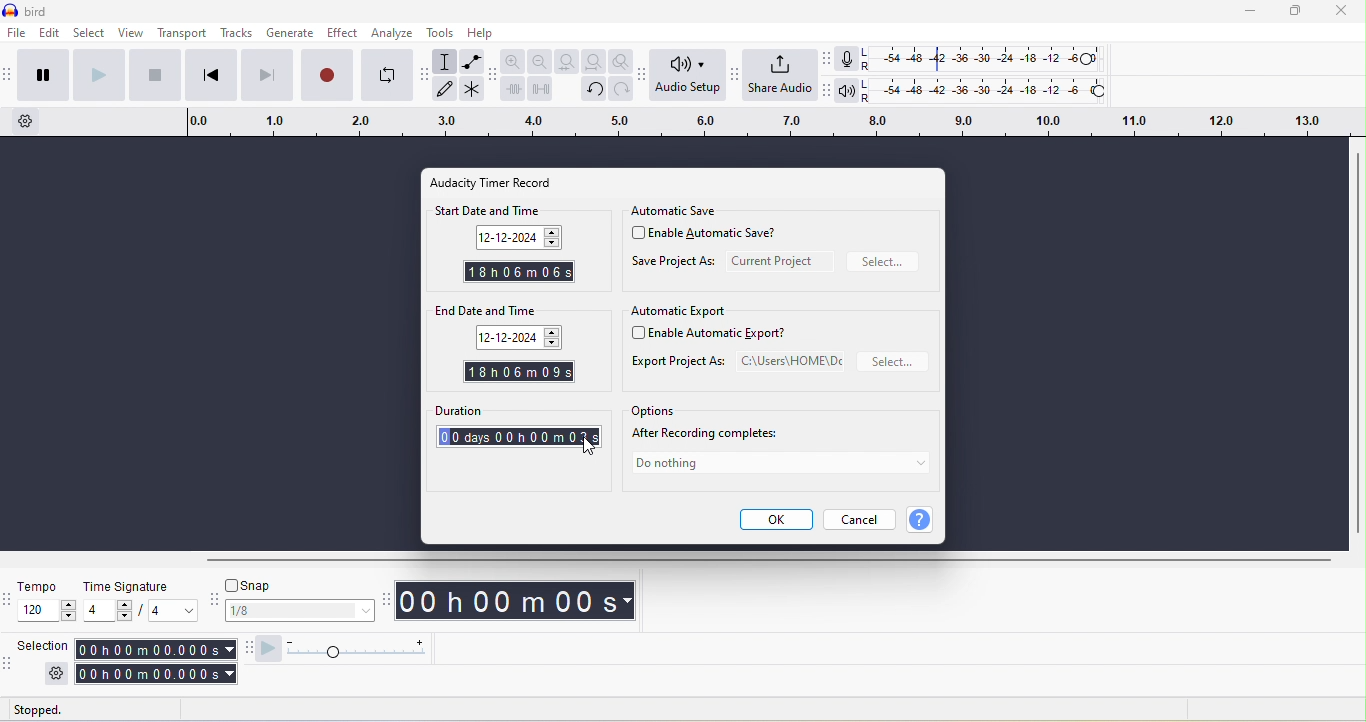 The image size is (1366, 722). What do you see at coordinates (44, 587) in the screenshot?
I see `tempo` at bounding box center [44, 587].